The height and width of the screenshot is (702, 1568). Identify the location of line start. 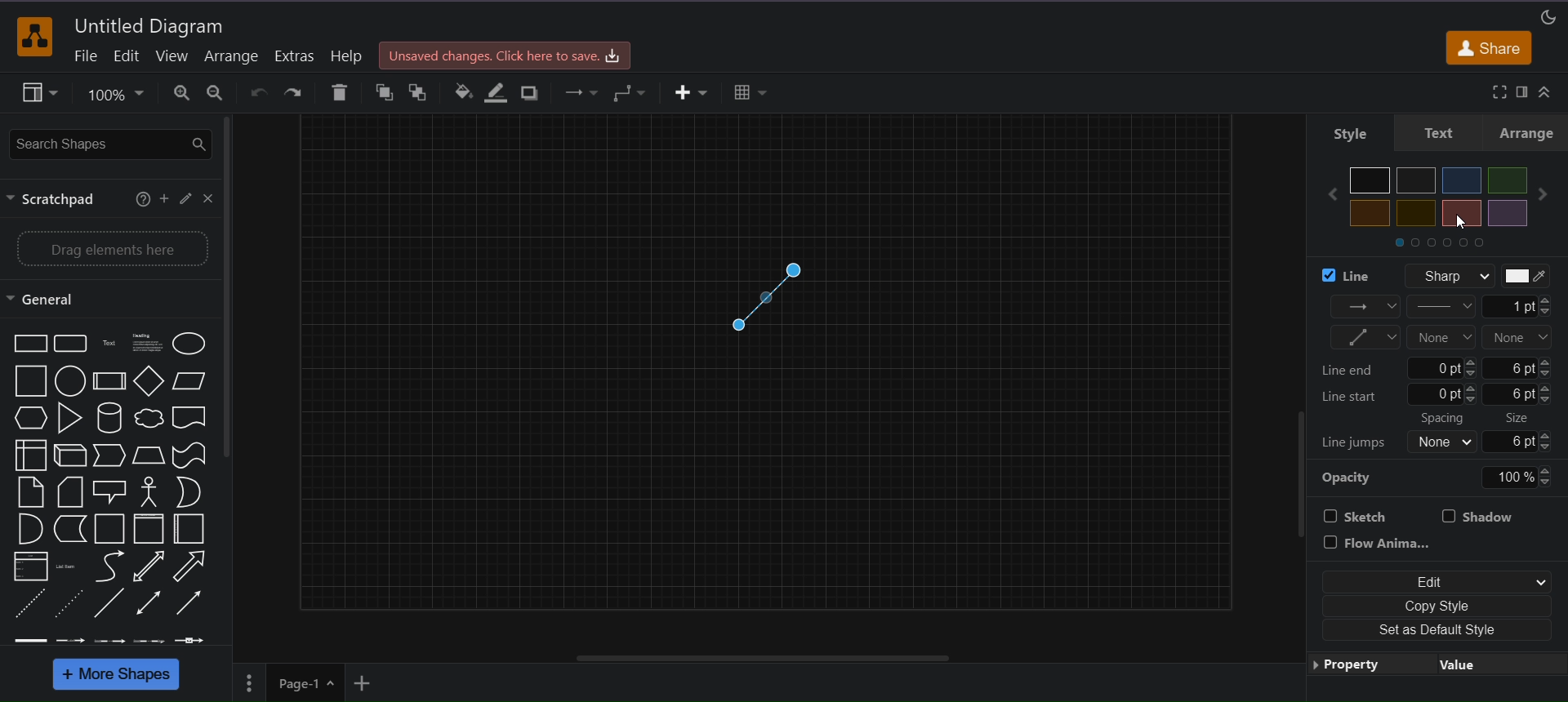
(1442, 338).